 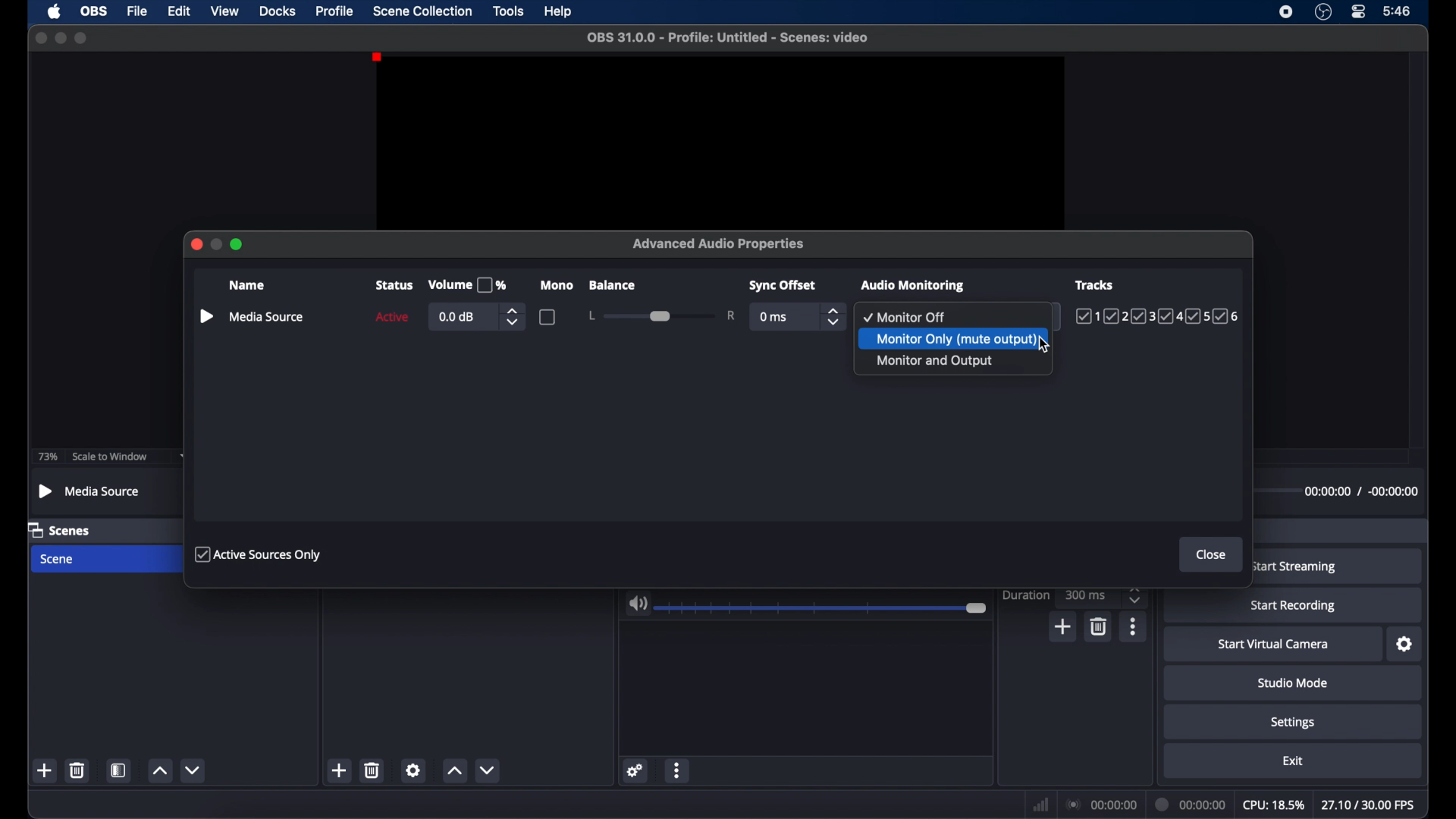 What do you see at coordinates (217, 244) in the screenshot?
I see `minimize` at bounding box center [217, 244].